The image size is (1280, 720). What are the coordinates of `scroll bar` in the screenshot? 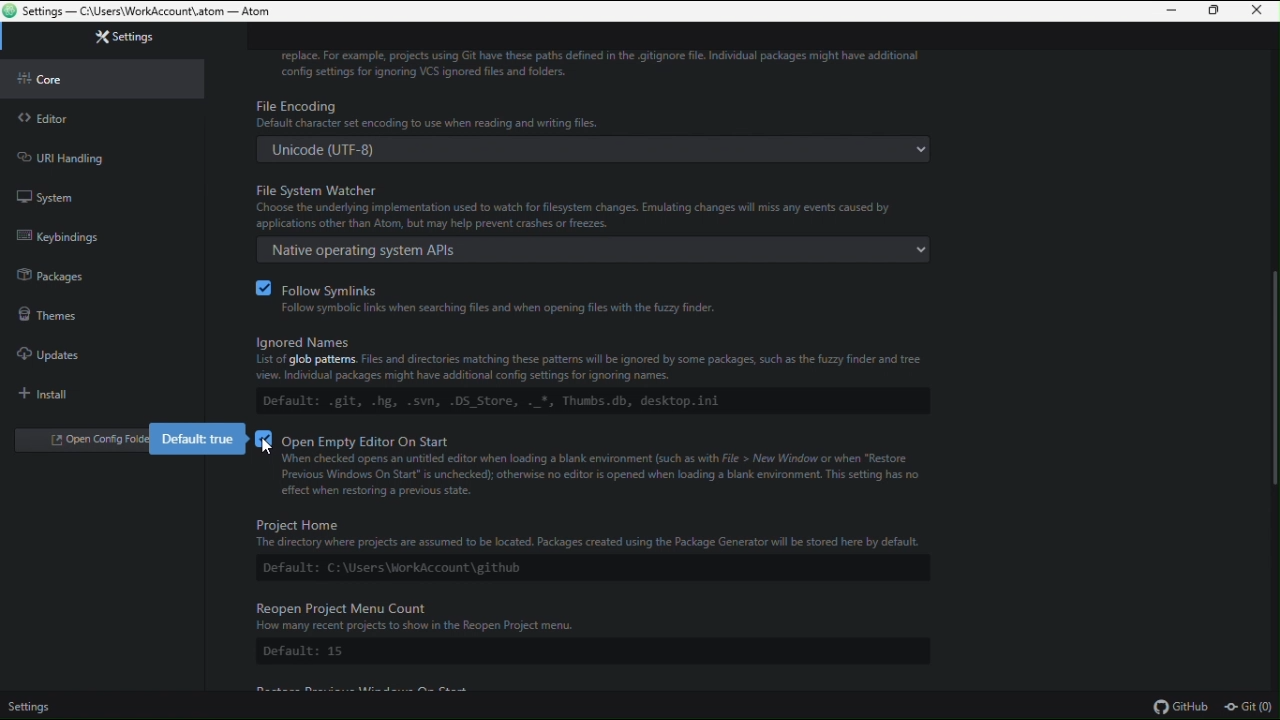 It's located at (1271, 377).